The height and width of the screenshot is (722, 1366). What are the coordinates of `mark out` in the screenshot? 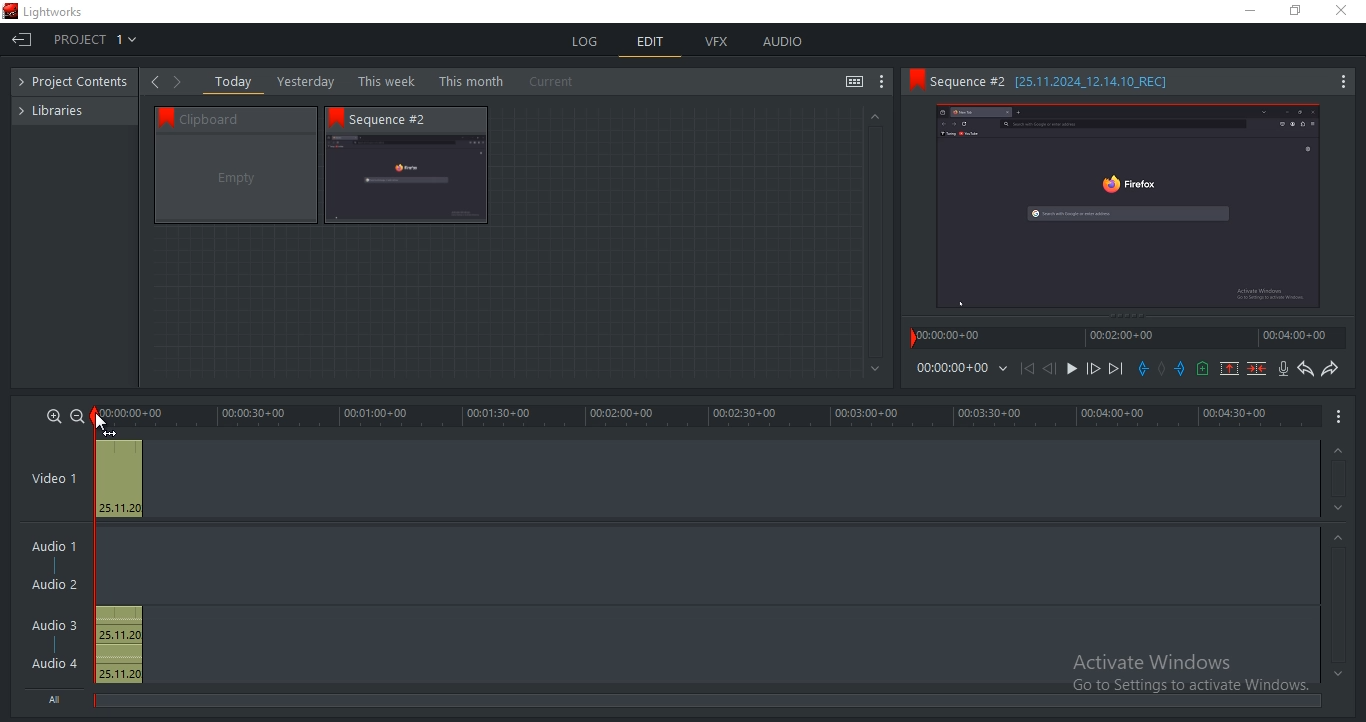 It's located at (1182, 368).